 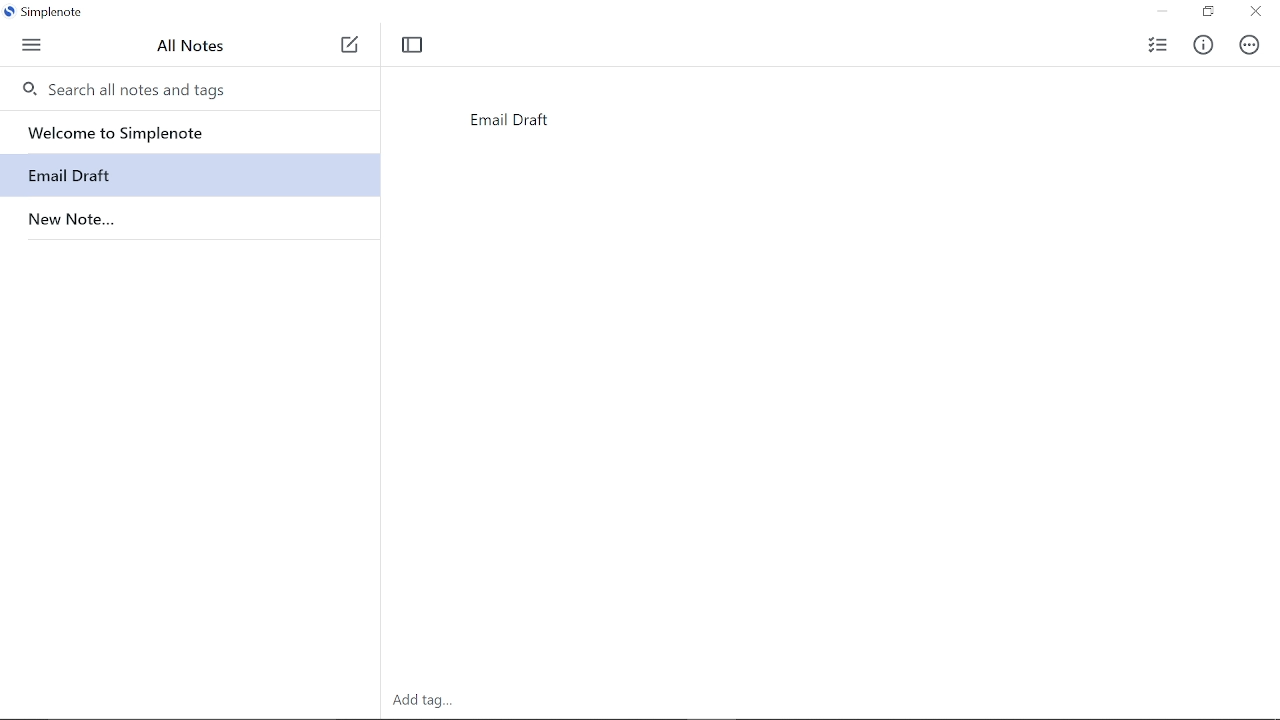 I want to click on Note titled "Email Draft", so click(x=63, y=175).